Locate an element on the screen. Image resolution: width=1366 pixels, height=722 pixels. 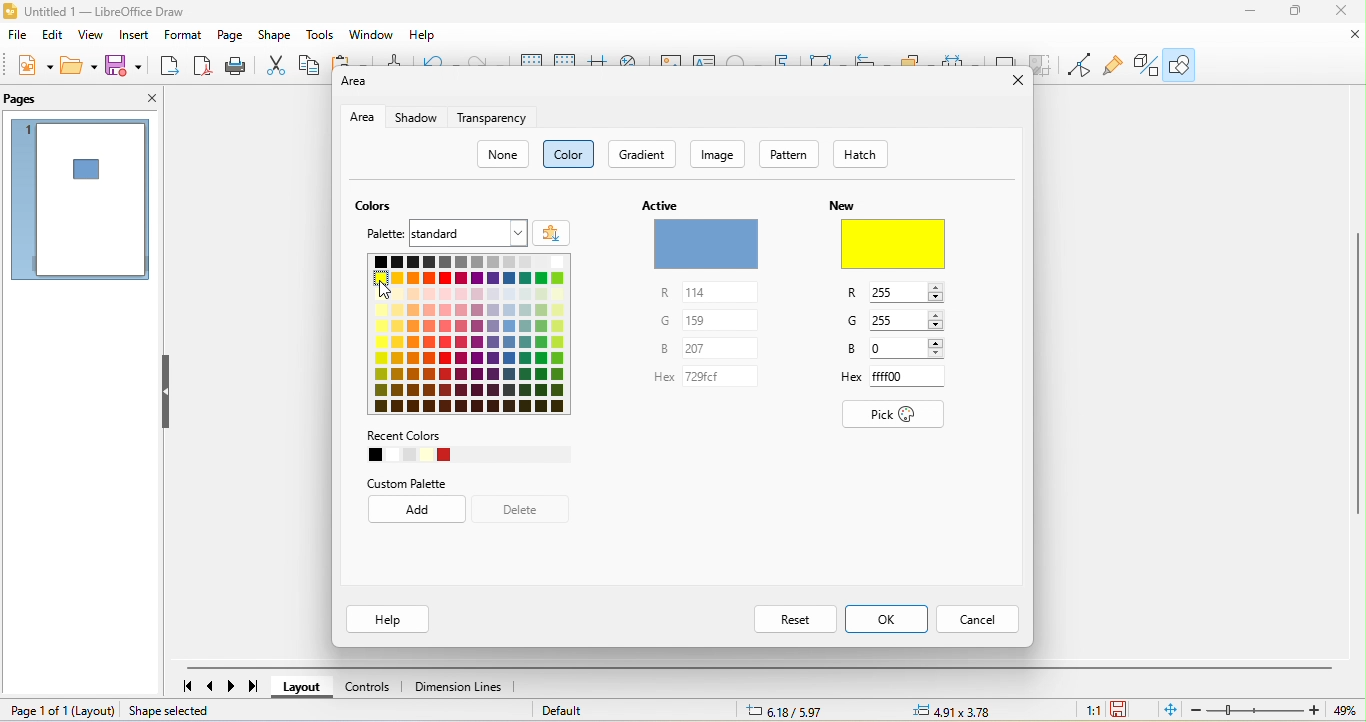
1:1 is located at coordinates (1091, 711).